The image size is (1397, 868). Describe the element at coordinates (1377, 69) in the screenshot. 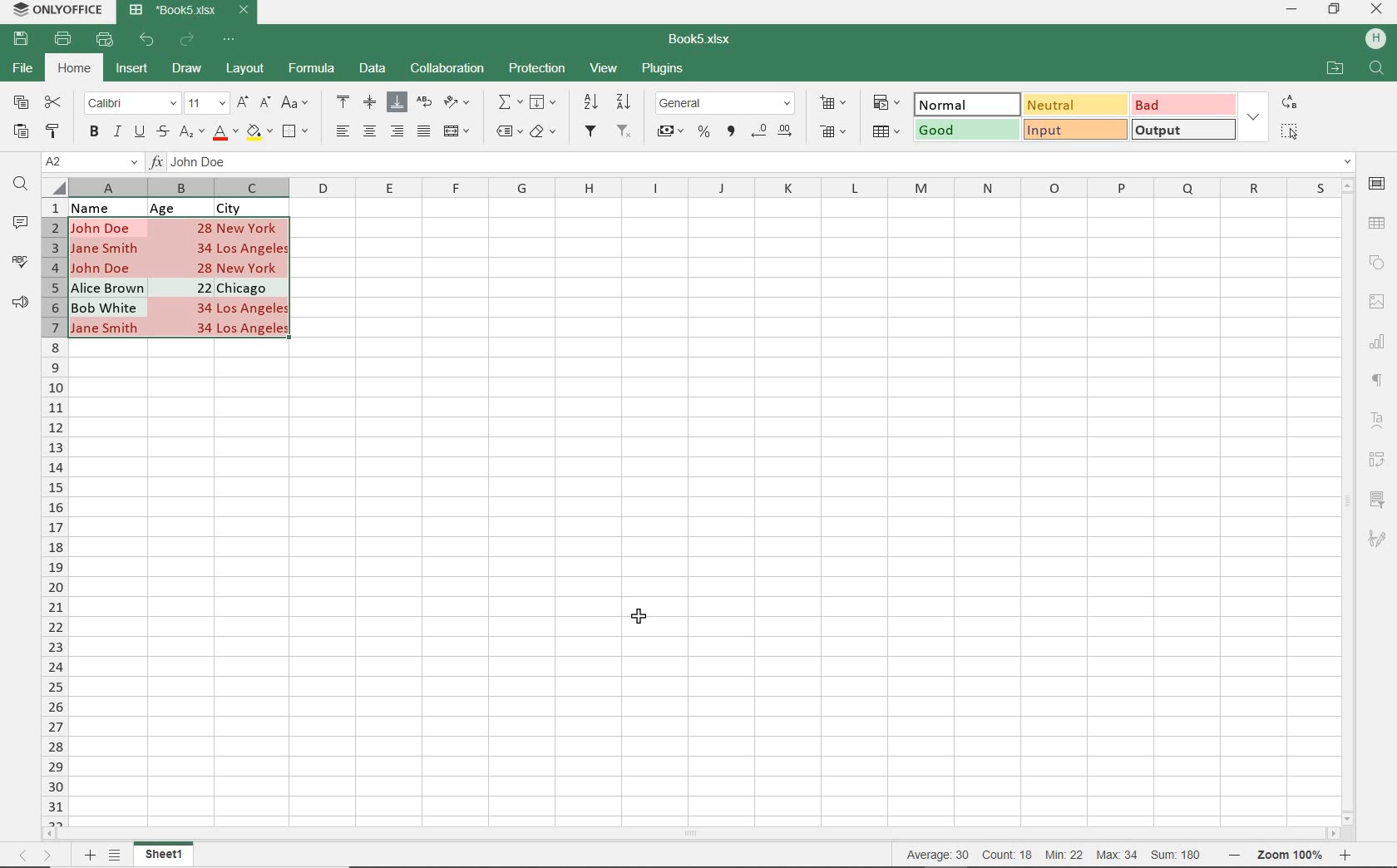

I see `Search` at that location.